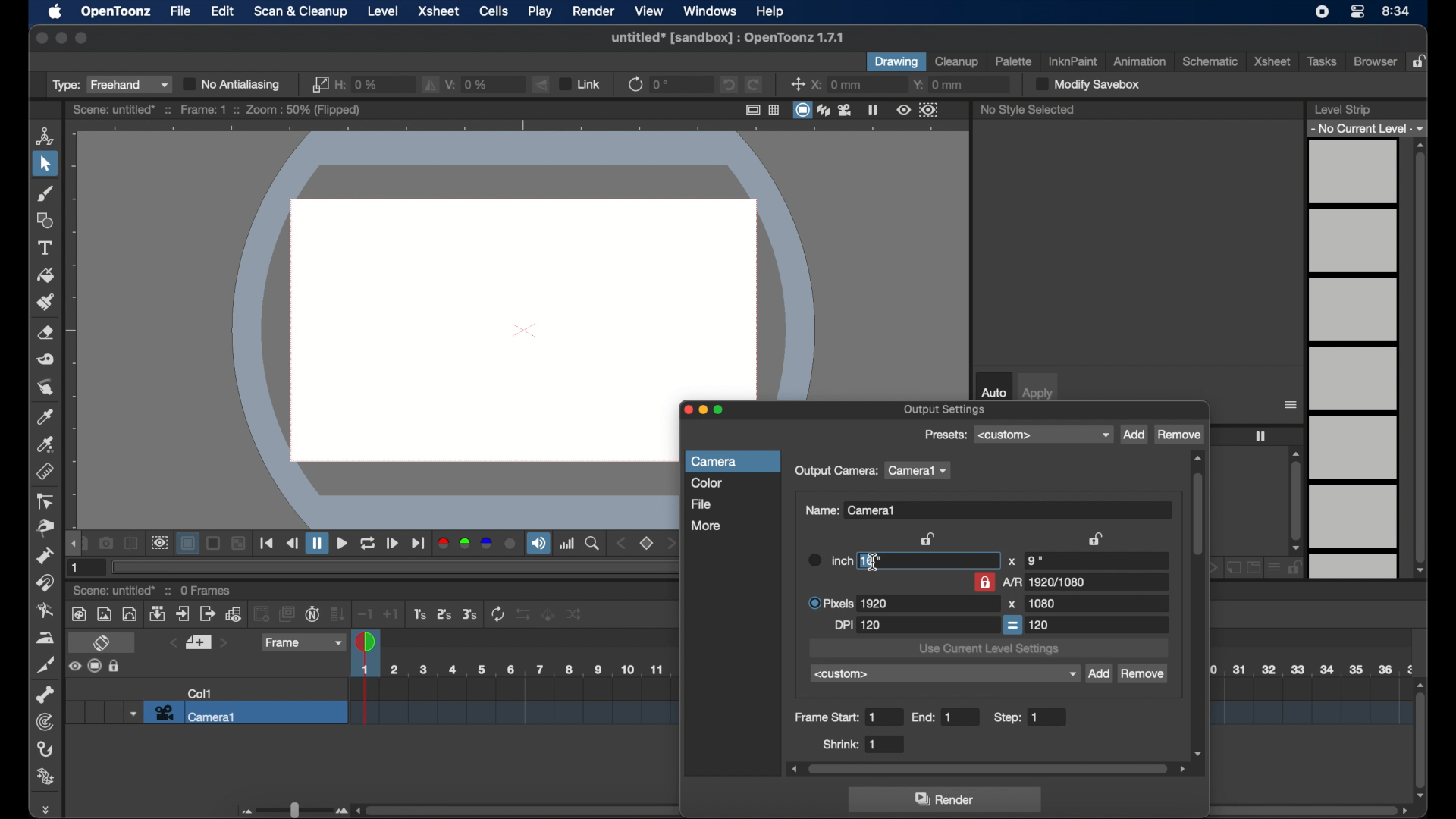  I want to click on tracker tool, so click(44, 722).